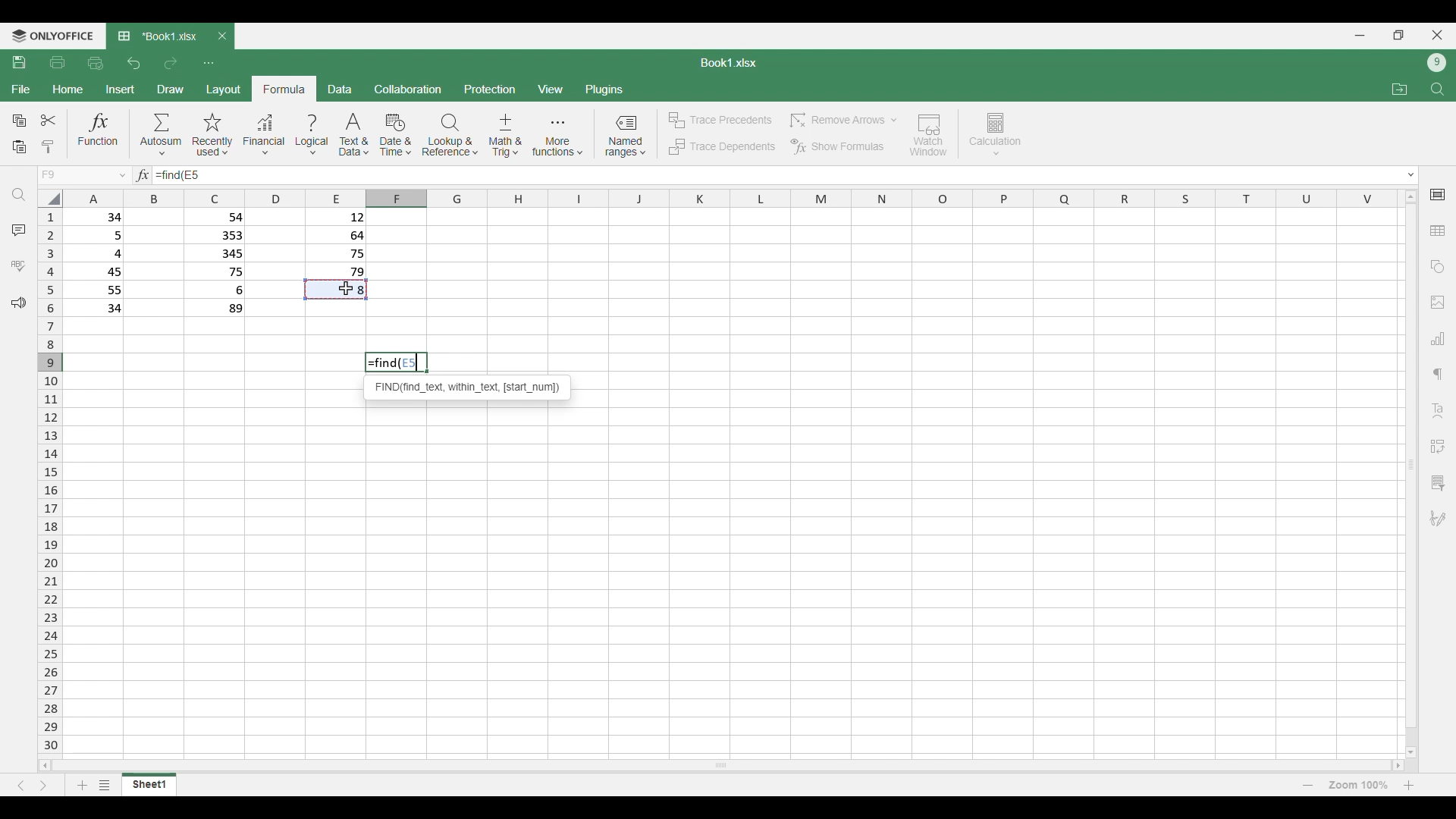  Describe the element at coordinates (1437, 63) in the screenshot. I see `Current account` at that location.